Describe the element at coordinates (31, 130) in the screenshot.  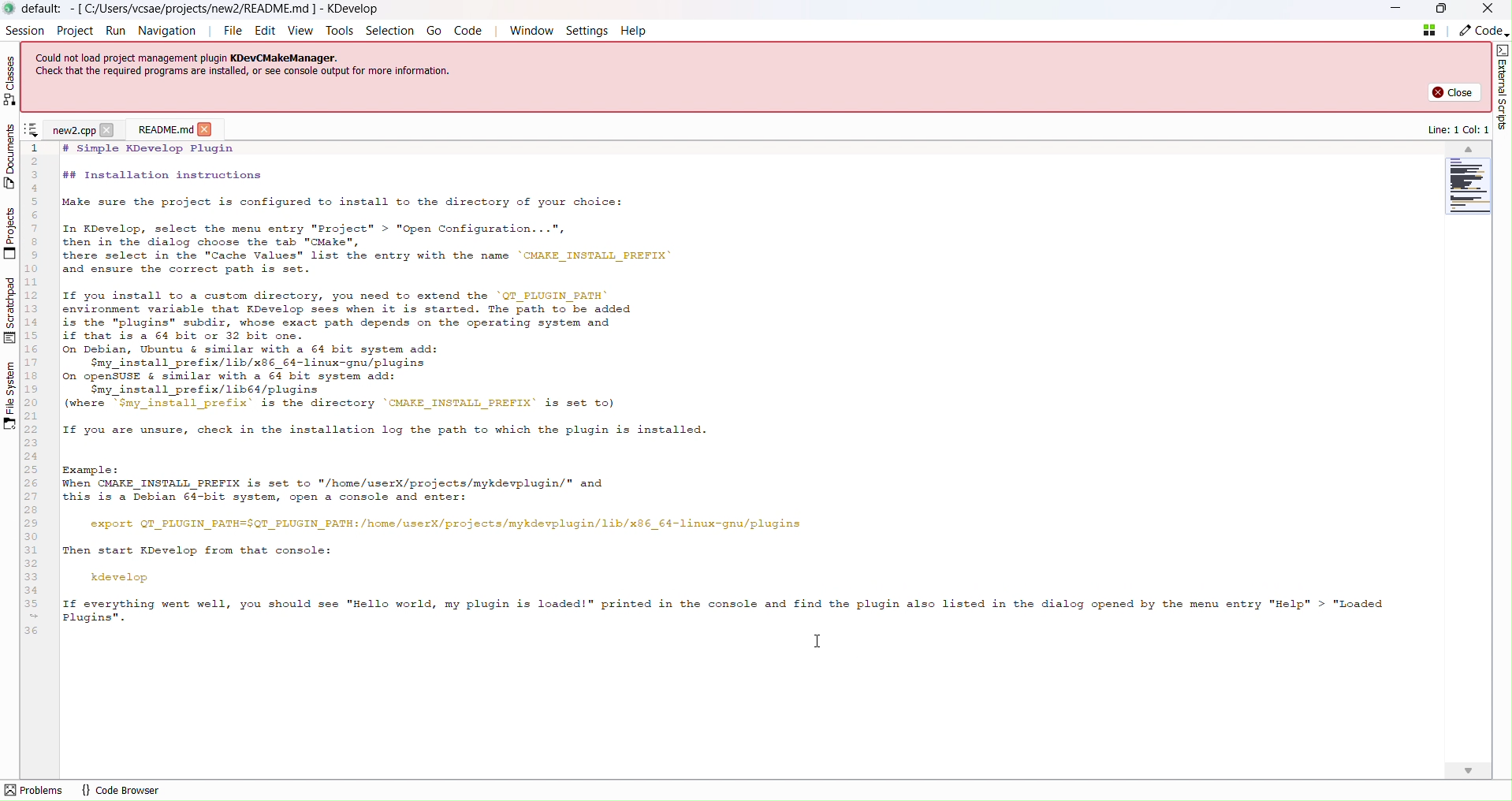
I see `show sorted list` at that location.